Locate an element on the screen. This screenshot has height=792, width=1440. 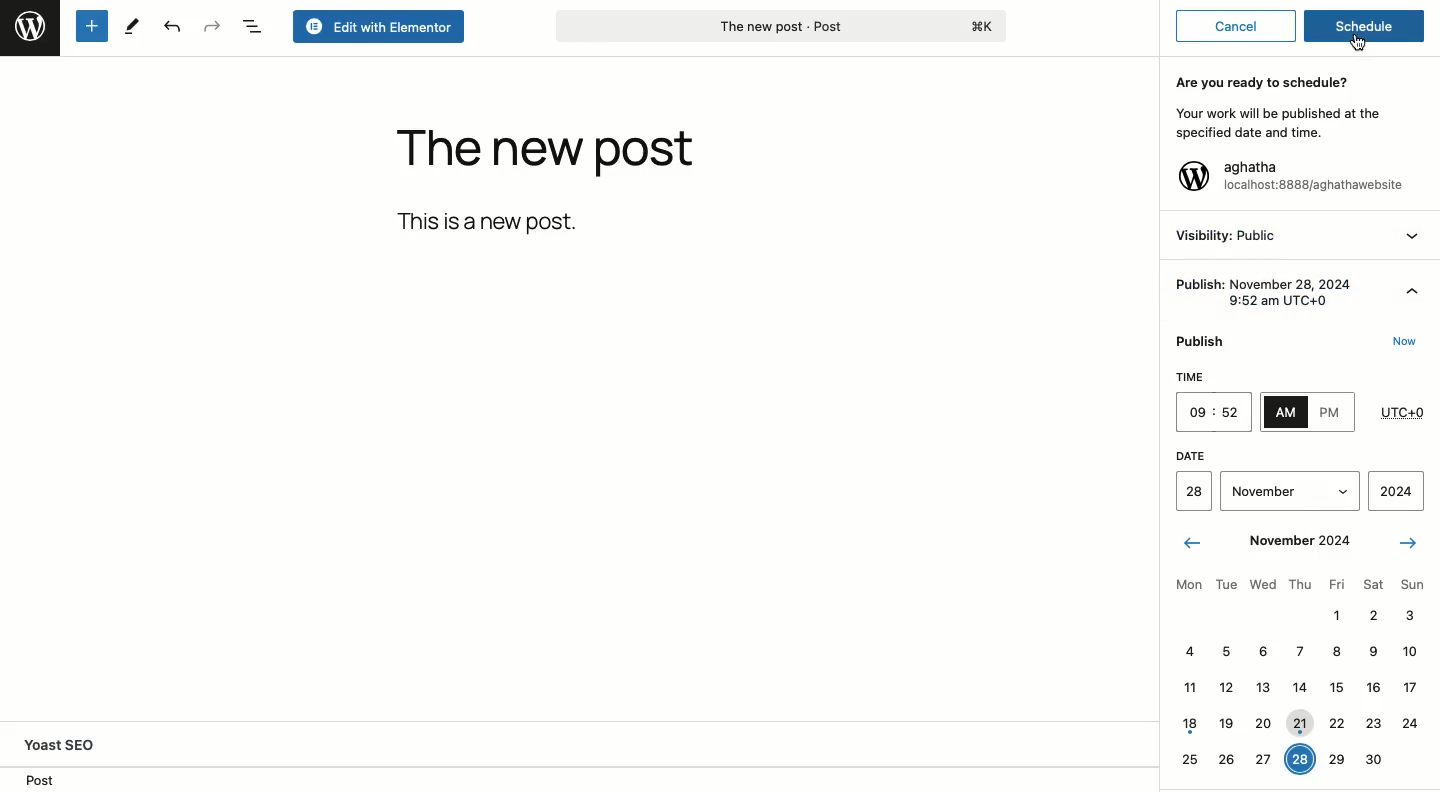
Add new block is located at coordinates (92, 26).